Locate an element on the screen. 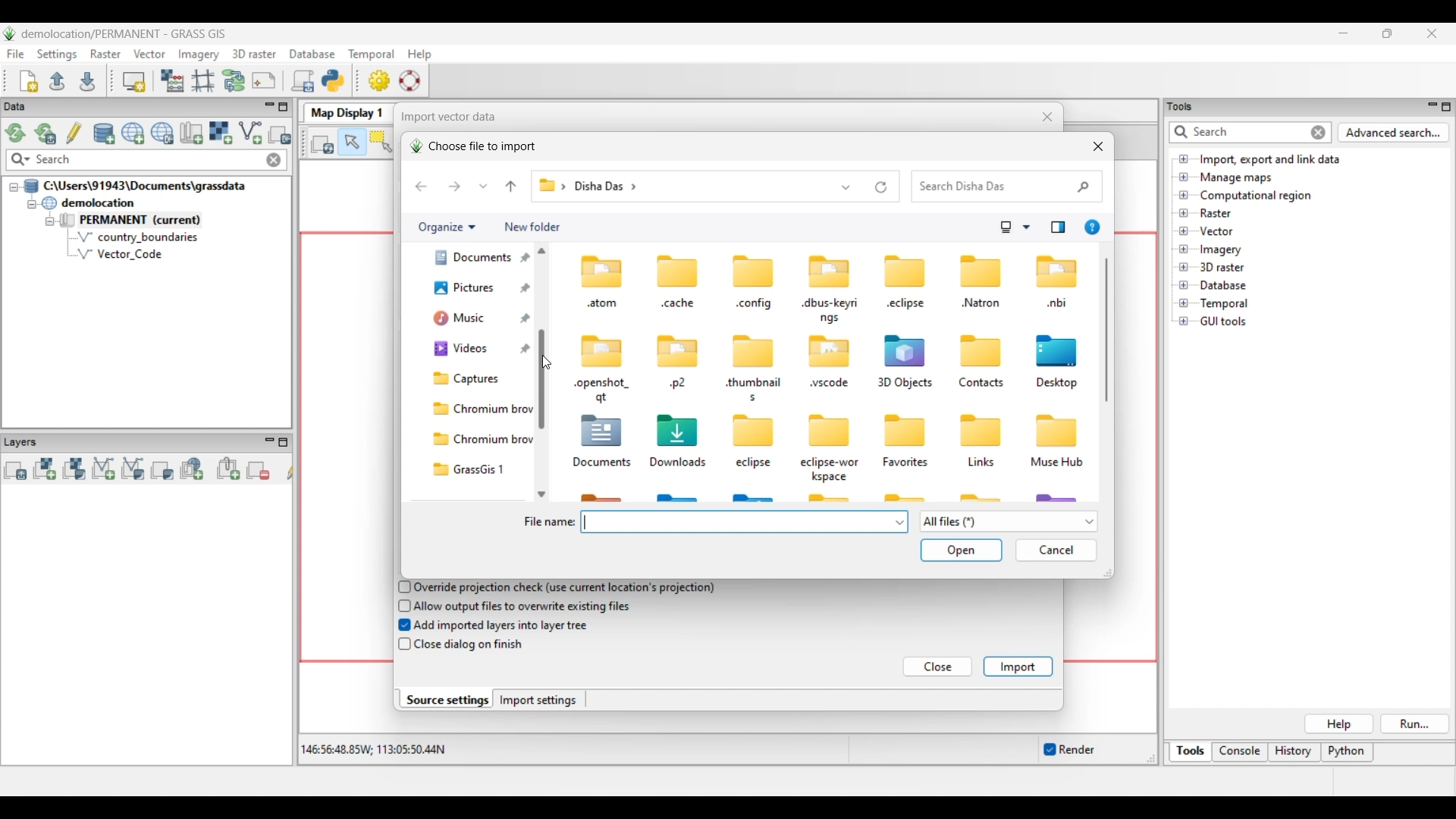  Allow output files to overwrite existing files is located at coordinates (525, 606).